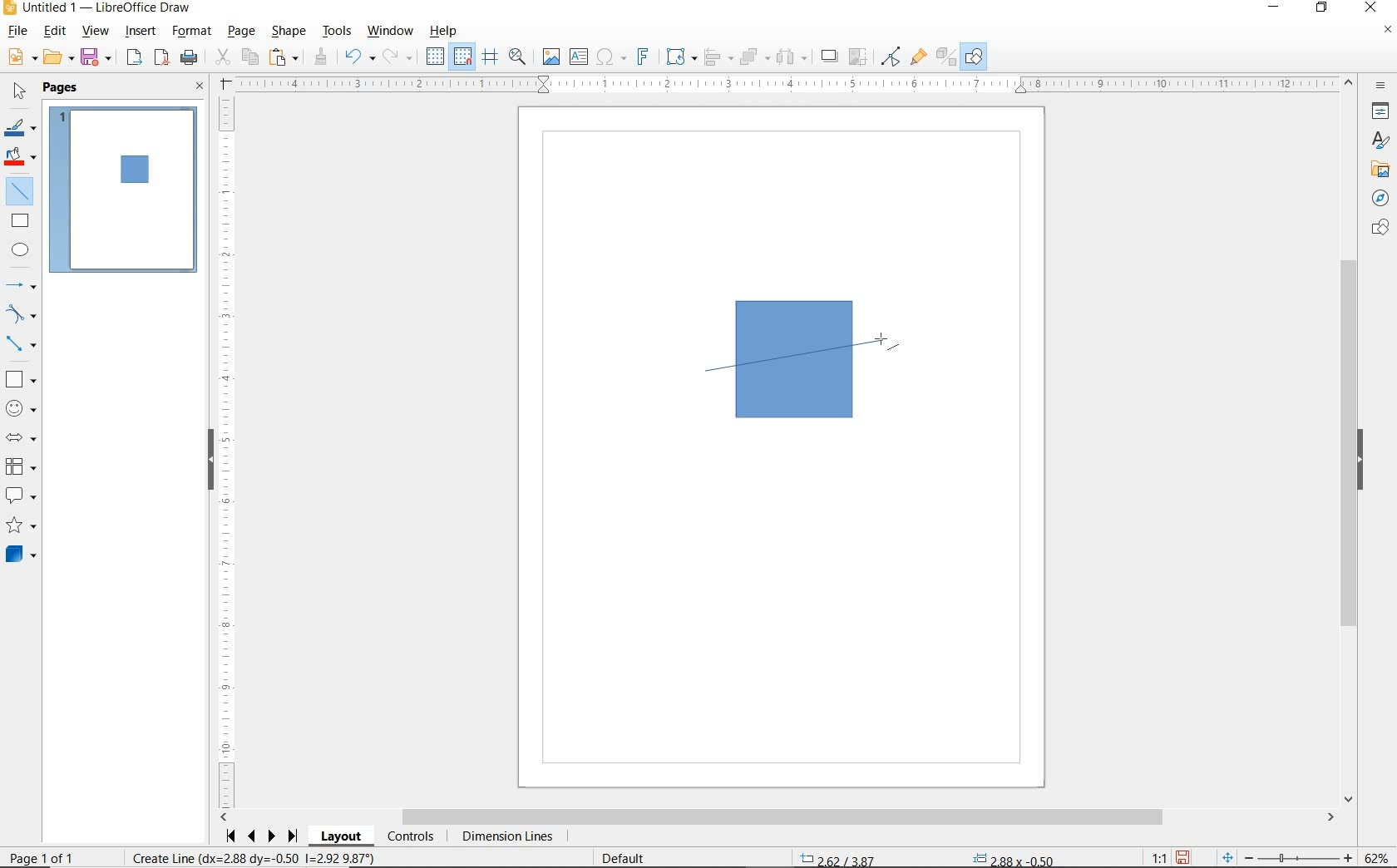 Image resolution: width=1397 pixels, height=868 pixels. What do you see at coordinates (518, 57) in the screenshot?
I see `ZOOM & PAN` at bounding box center [518, 57].